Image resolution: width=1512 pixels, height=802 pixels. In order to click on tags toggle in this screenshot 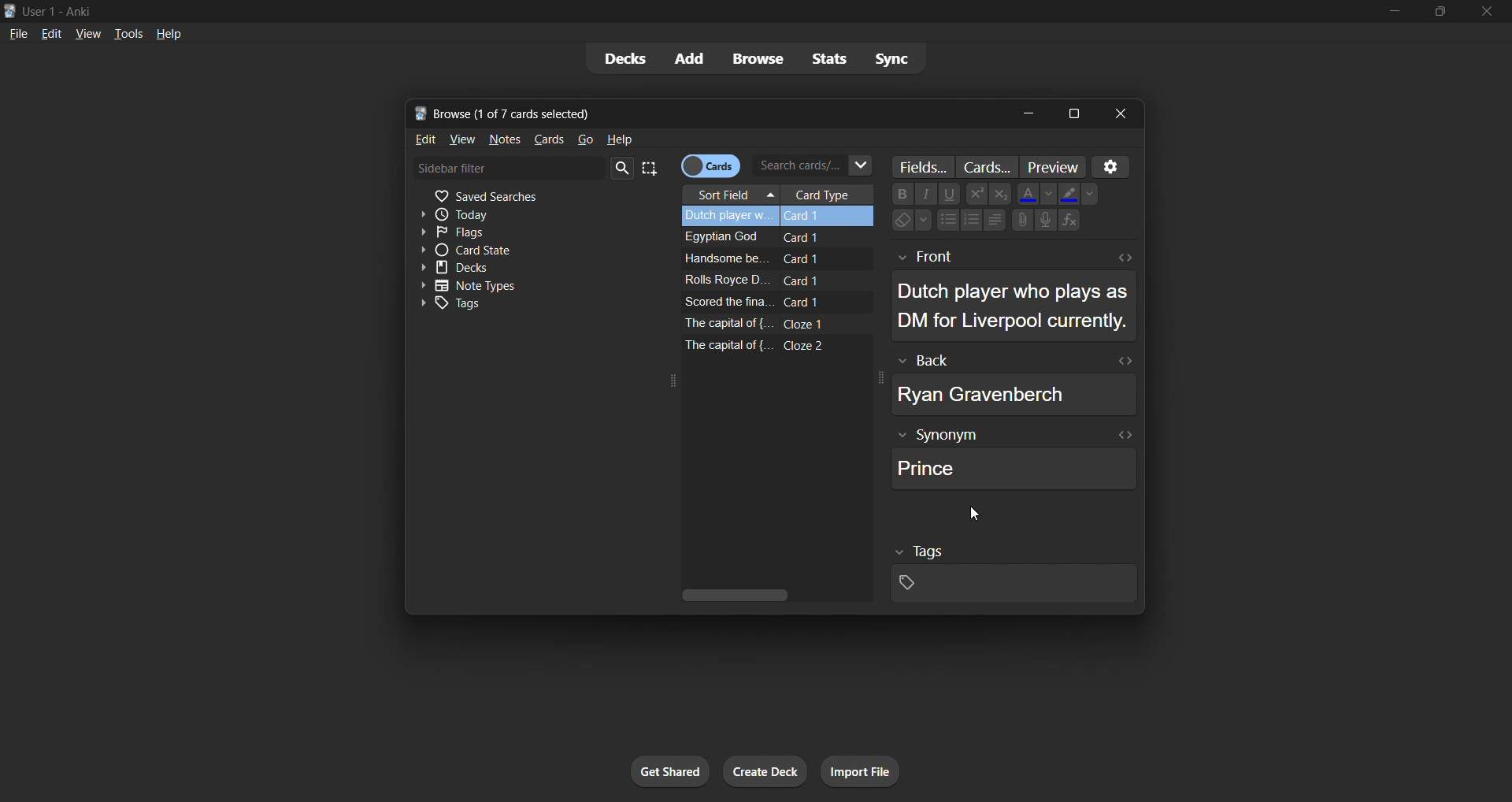, I will do `click(526, 313)`.